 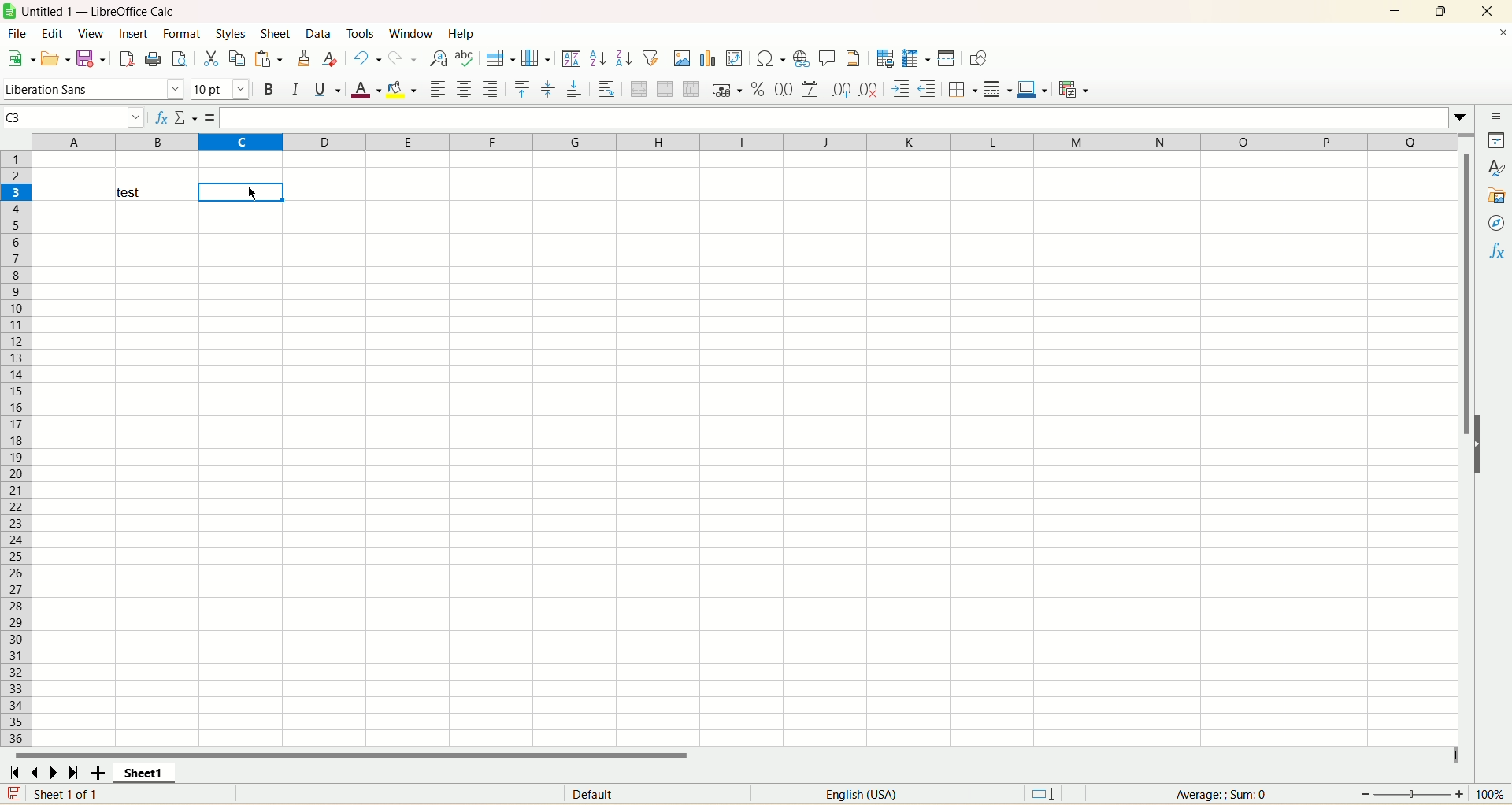 I want to click on paste, so click(x=269, y=58).